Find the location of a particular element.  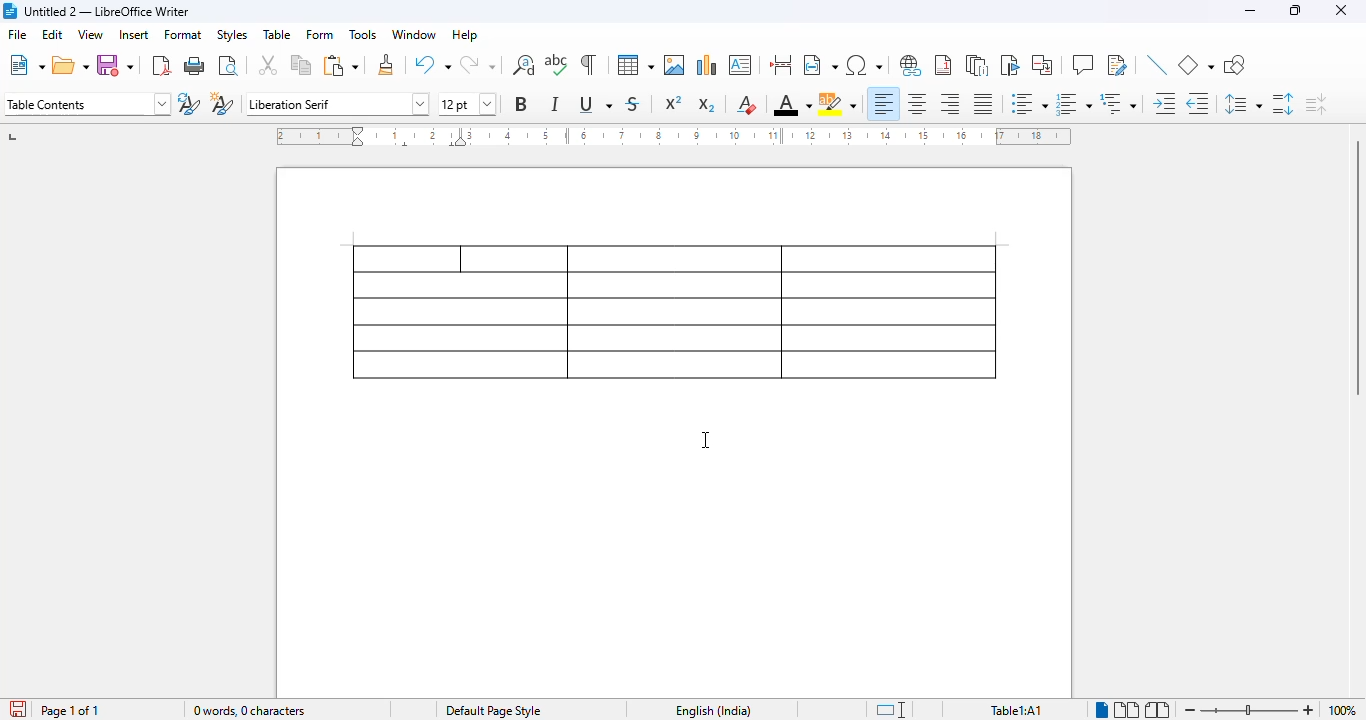

format is located at coordinates (184, 34).